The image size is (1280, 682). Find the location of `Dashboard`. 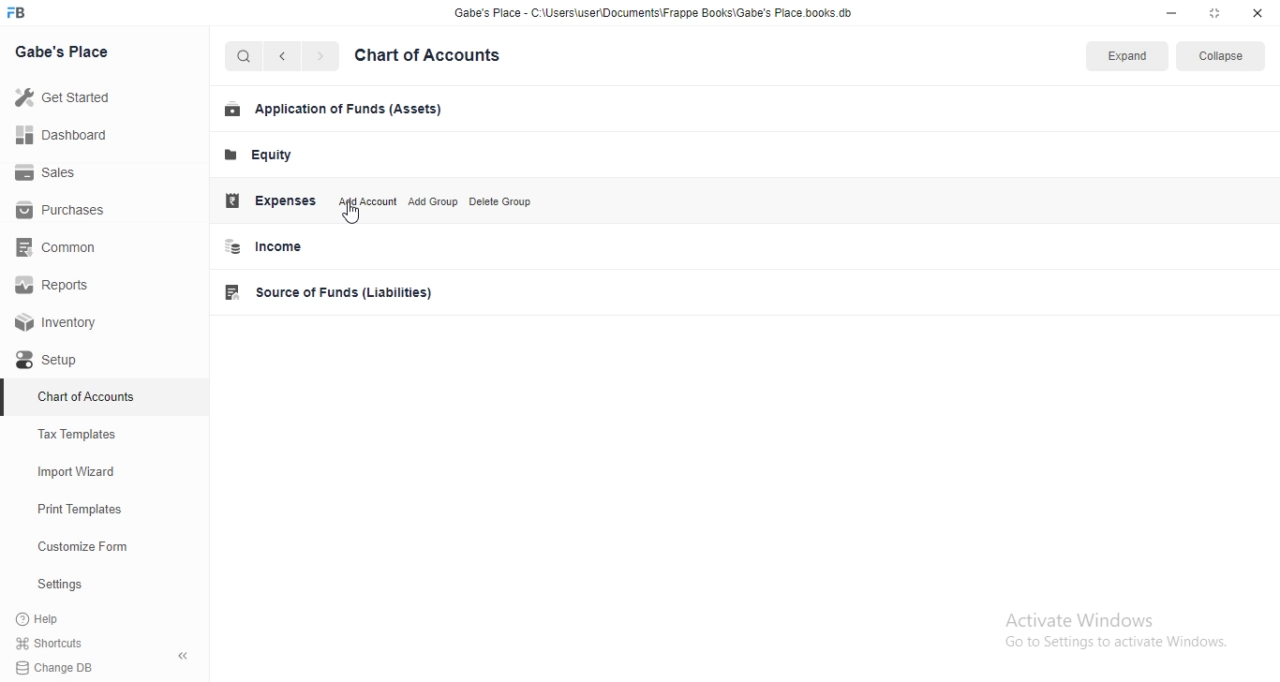

Dashboard is located at coordinates (64, 137).